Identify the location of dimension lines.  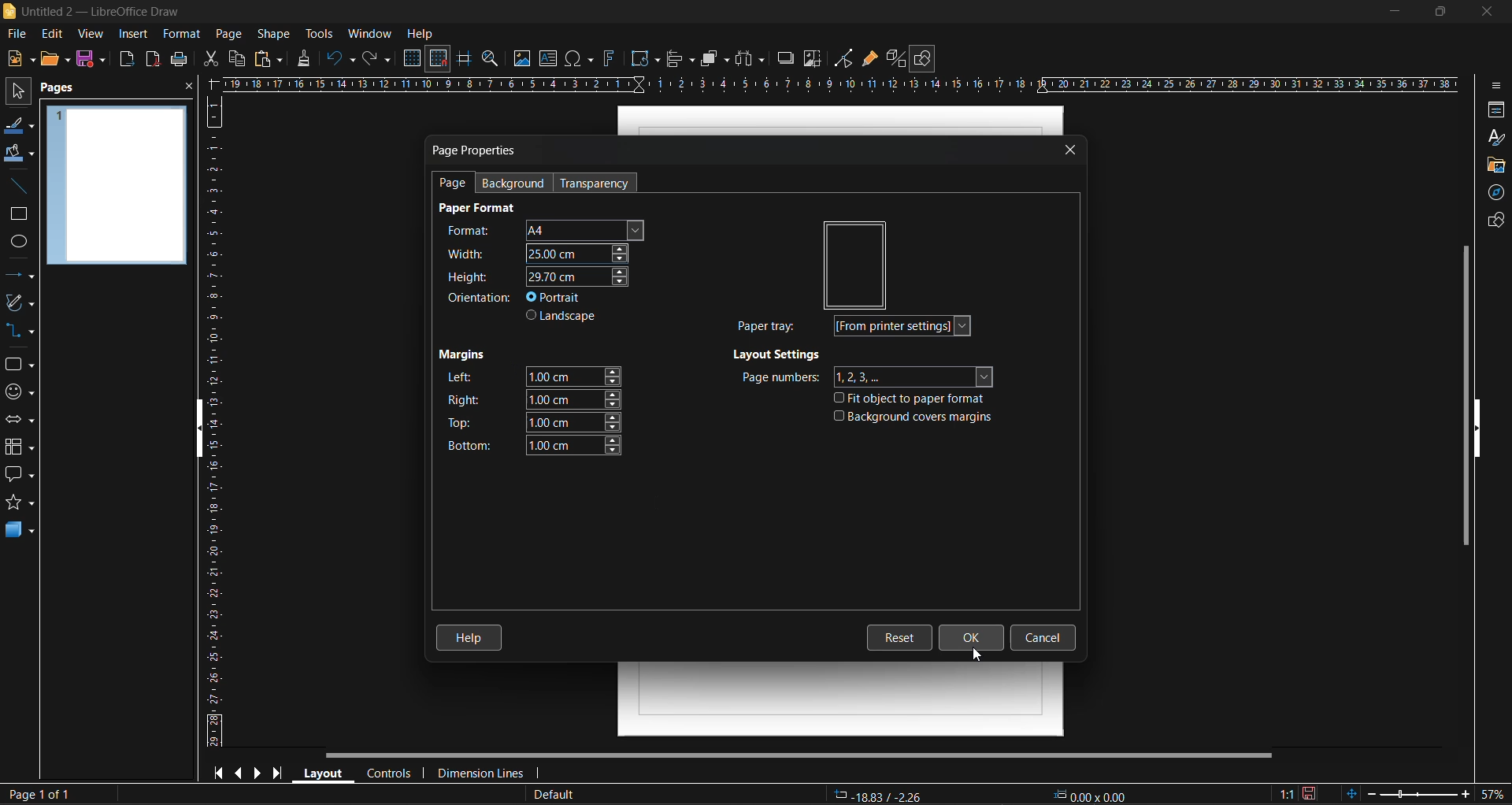
(485, 772).